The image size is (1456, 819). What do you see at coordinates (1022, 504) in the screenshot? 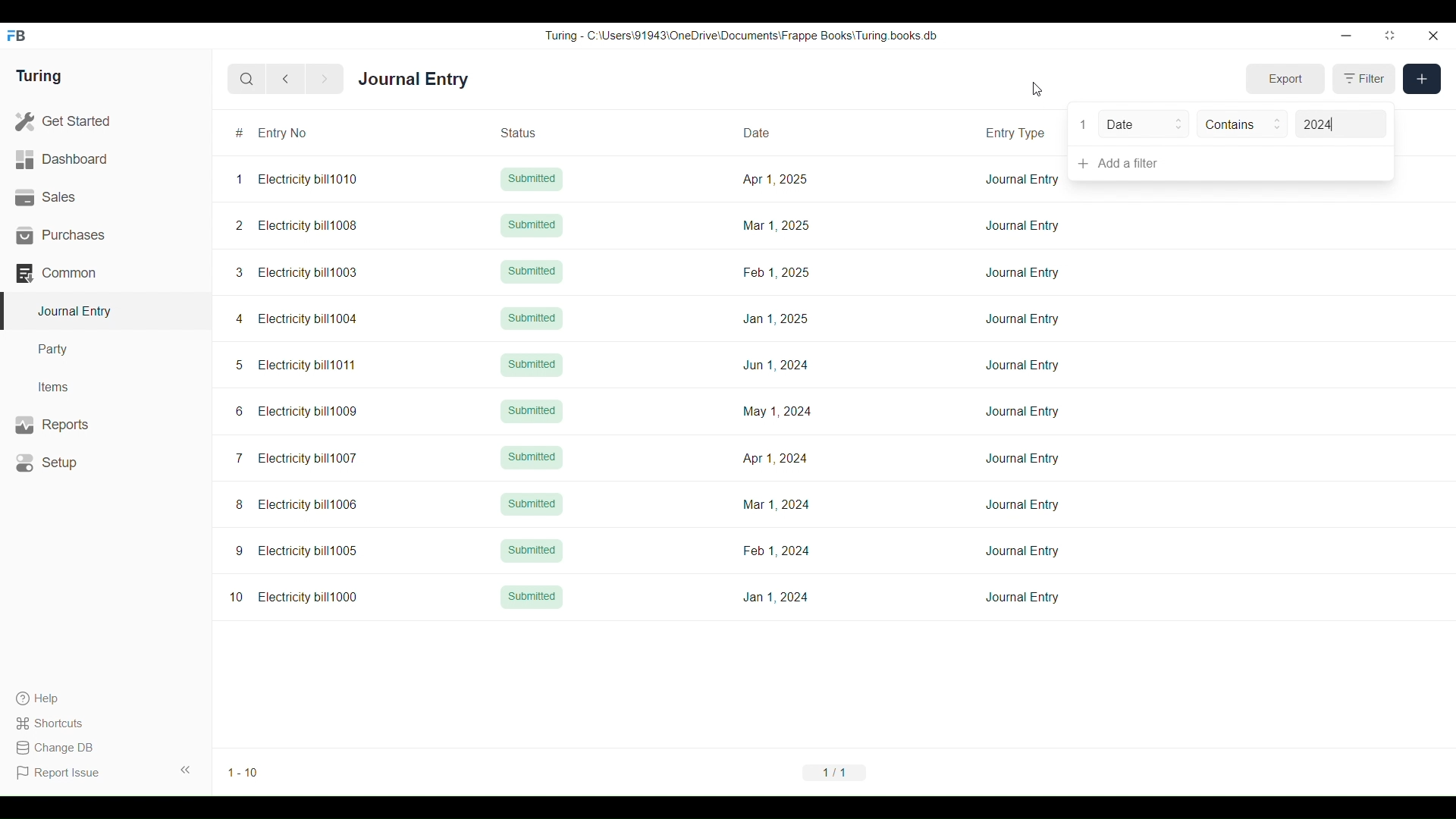
I see `Journal Entry` at bounding box center [1022, 504].